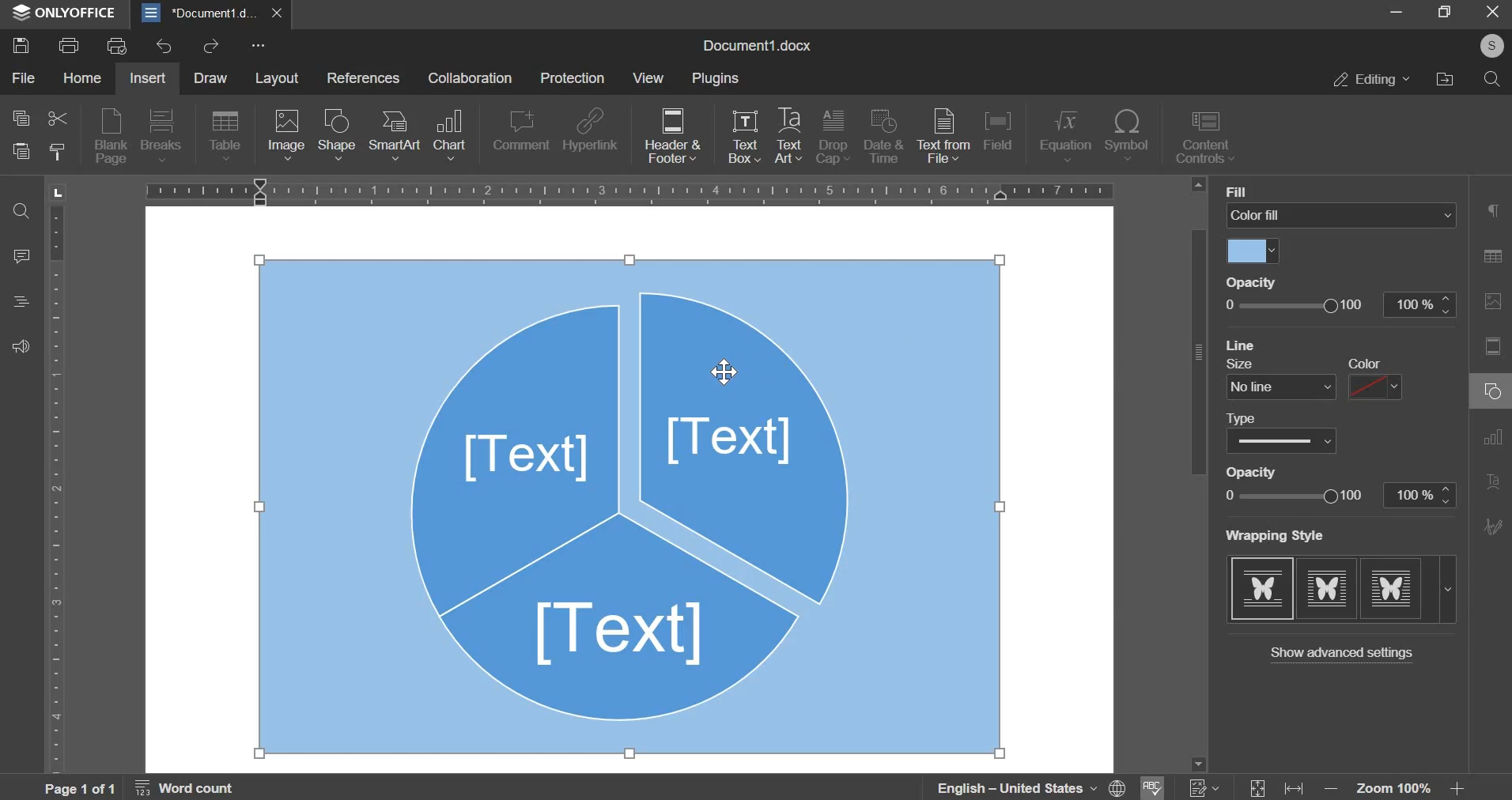 The image size is (1512, 800). Describe the element at coordinates (1278, 535) in the screenshot. I see `` at that location.